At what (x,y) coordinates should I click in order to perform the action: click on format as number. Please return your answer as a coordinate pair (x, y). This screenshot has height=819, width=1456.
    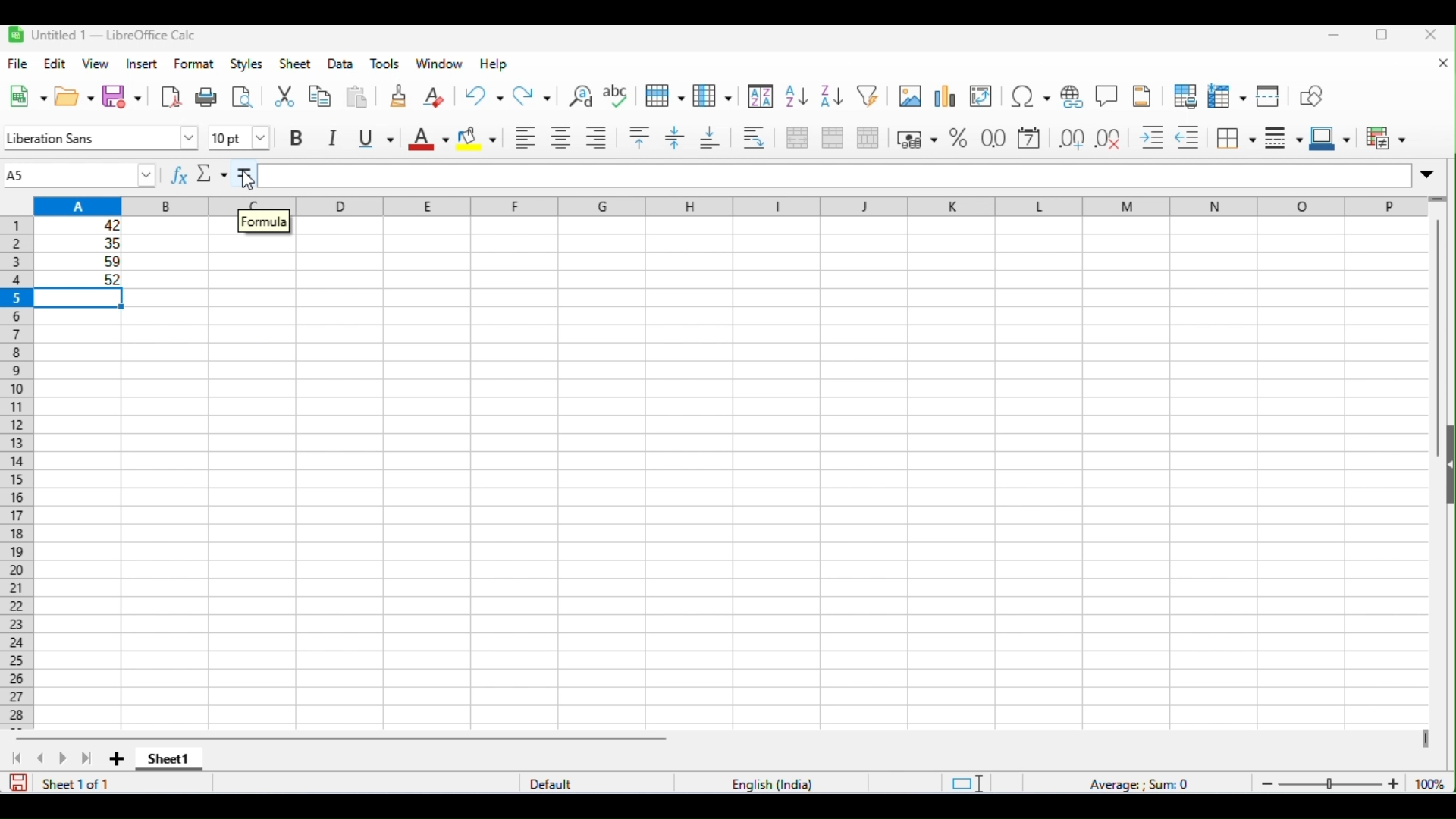
    Looking at the image, I should click on (993, 139).